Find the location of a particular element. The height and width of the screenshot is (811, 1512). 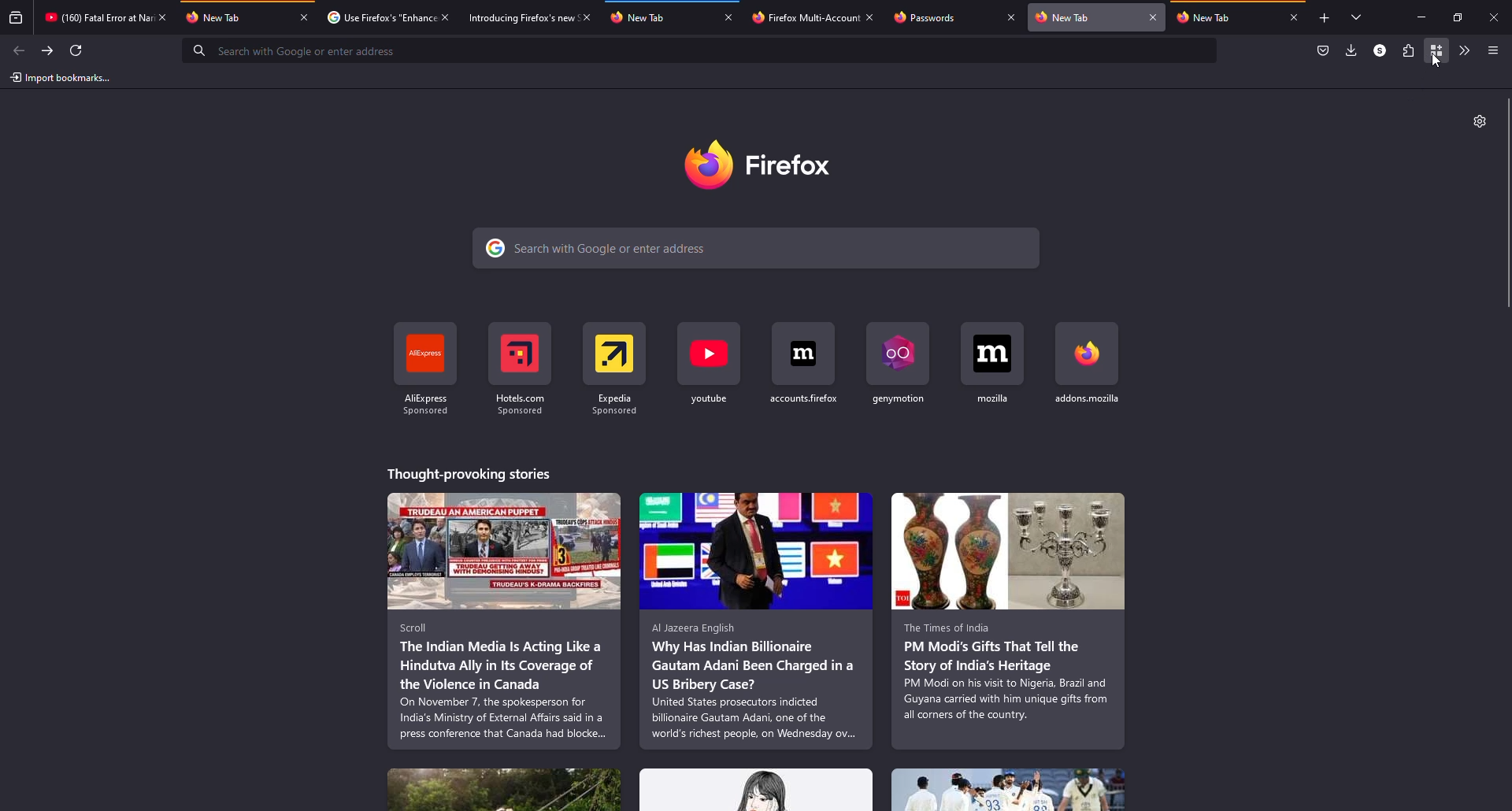

settings is located at coordinates (1478, 121).